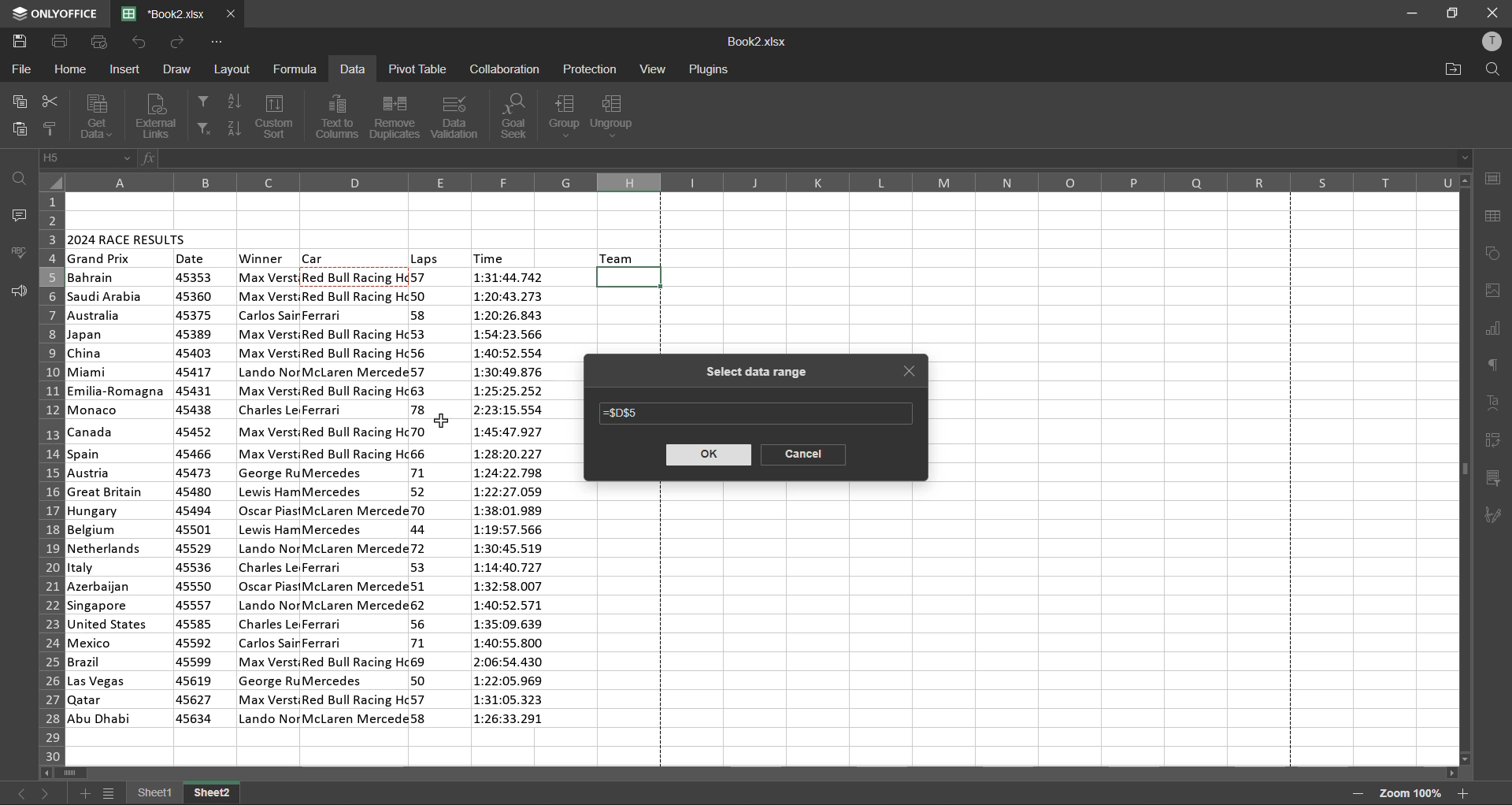 The image size is (1512, 805). What do you see at coordinates (278, 117) in the screenshot?
I see `custom sort` at bounding box center [278, 117].